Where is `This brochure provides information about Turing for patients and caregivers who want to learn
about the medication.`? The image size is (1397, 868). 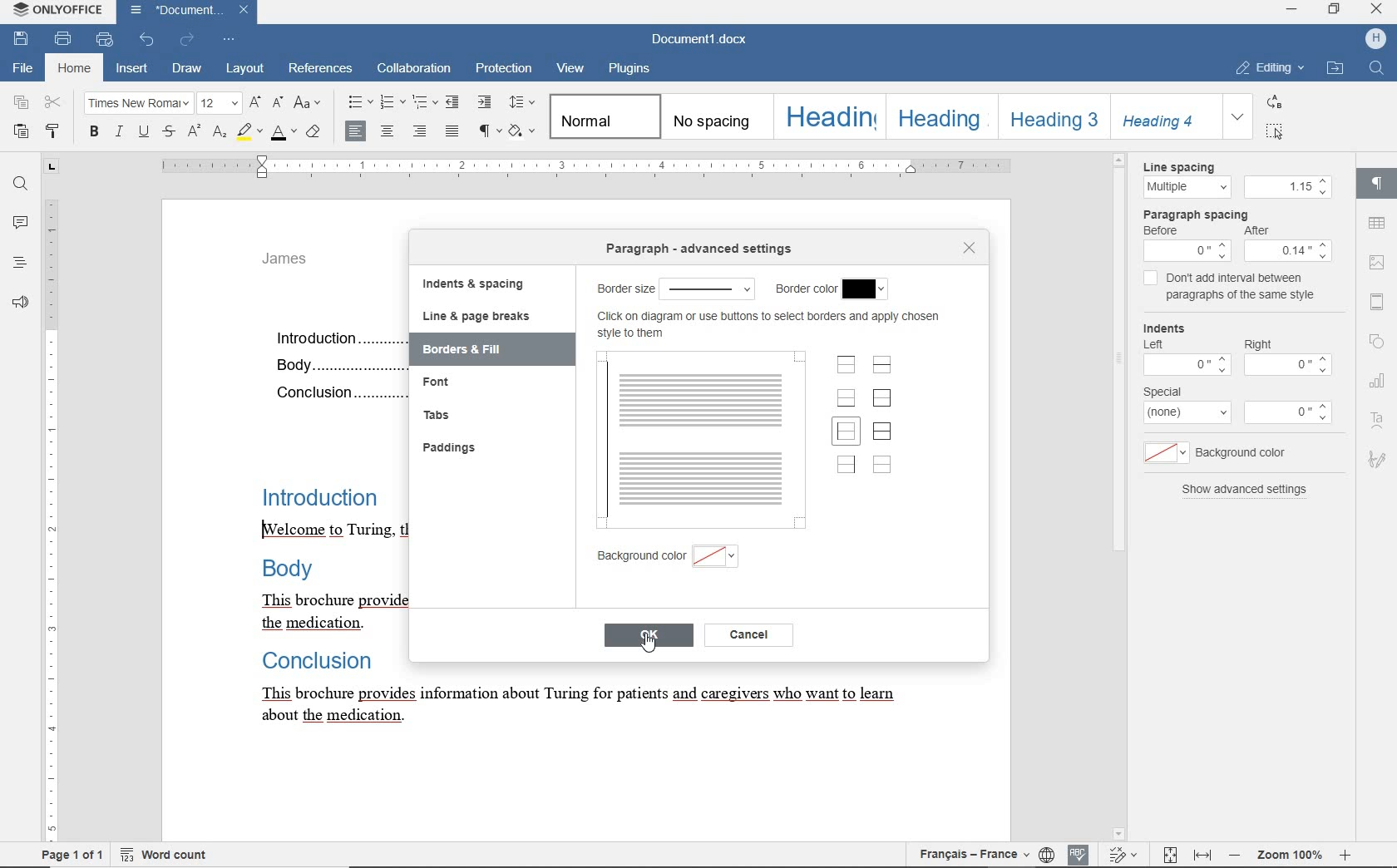
This brochure provides information about Turing for patients and caregivers who want to learn
about the medication. is located at coordinates (586, 708).